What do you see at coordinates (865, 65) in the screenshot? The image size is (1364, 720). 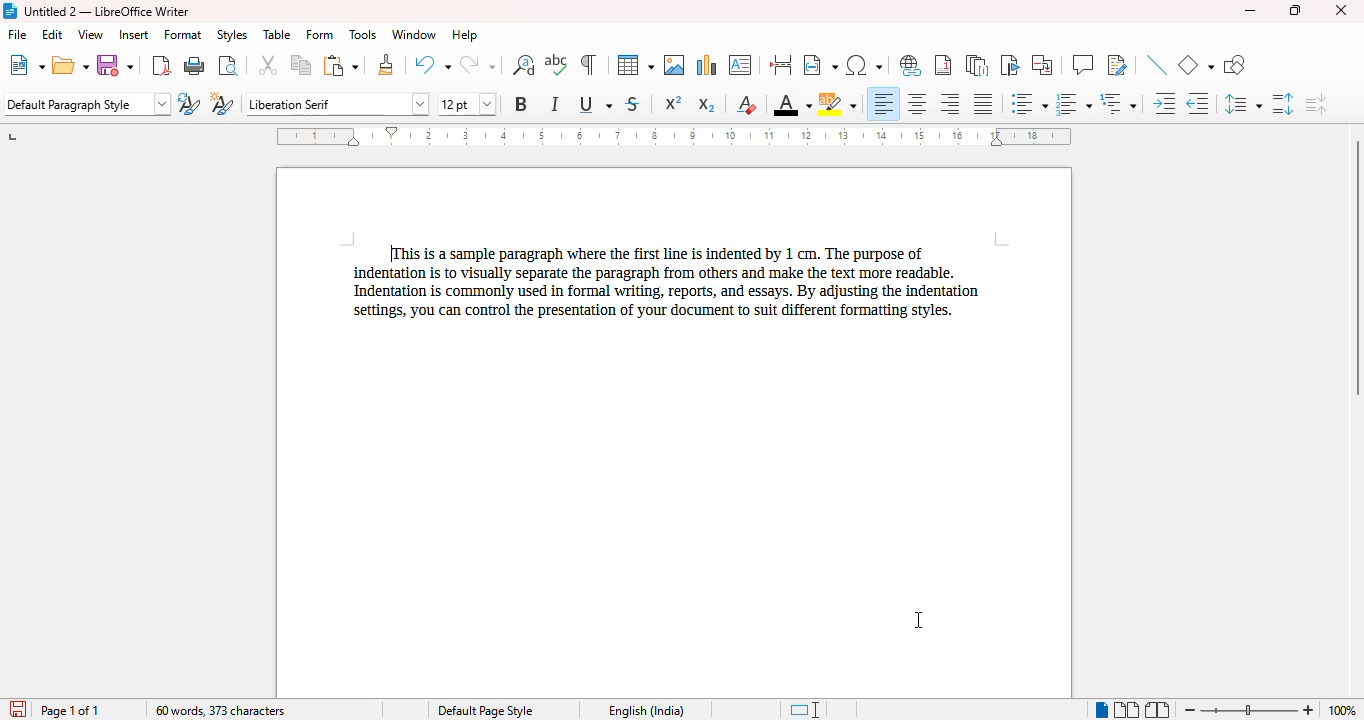 I see `insert special characters` at bounding box center [865, 65].